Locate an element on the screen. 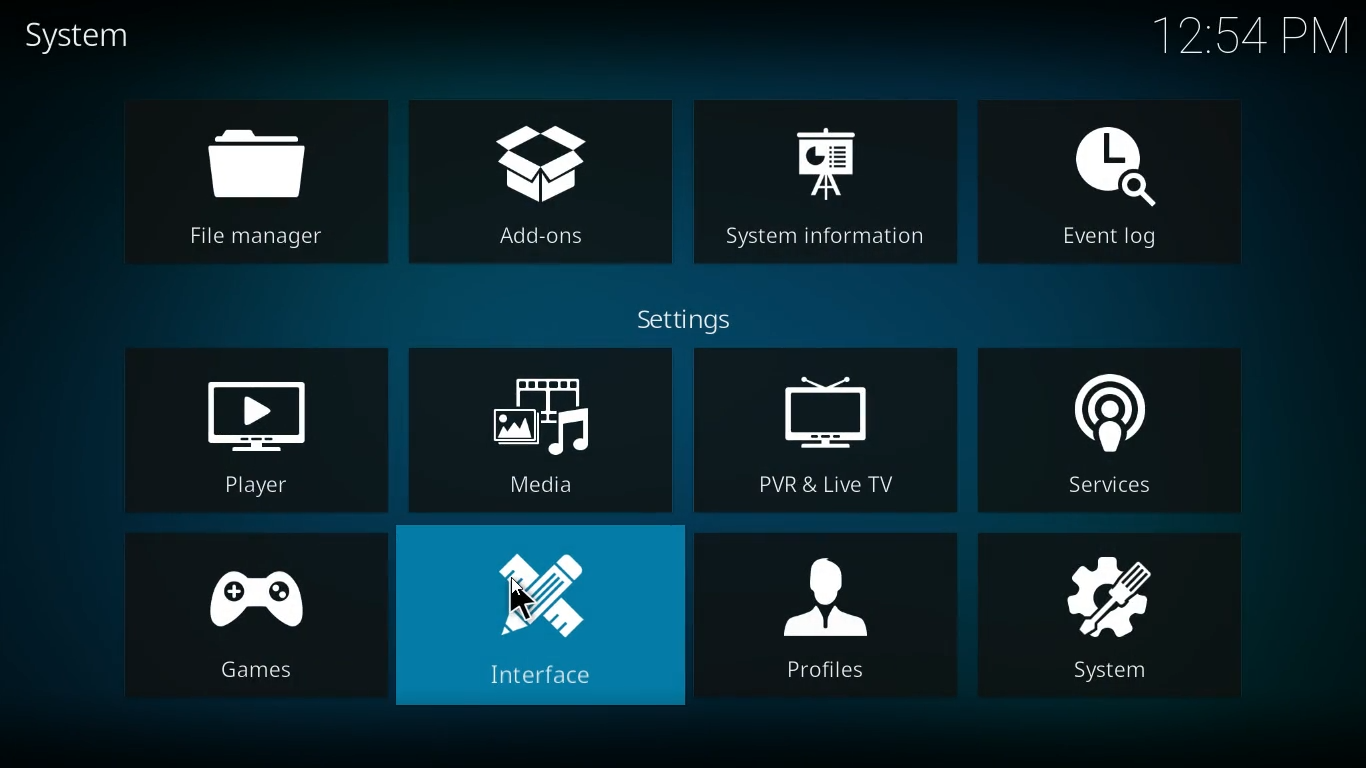  player is located at coordinates (254, 426).